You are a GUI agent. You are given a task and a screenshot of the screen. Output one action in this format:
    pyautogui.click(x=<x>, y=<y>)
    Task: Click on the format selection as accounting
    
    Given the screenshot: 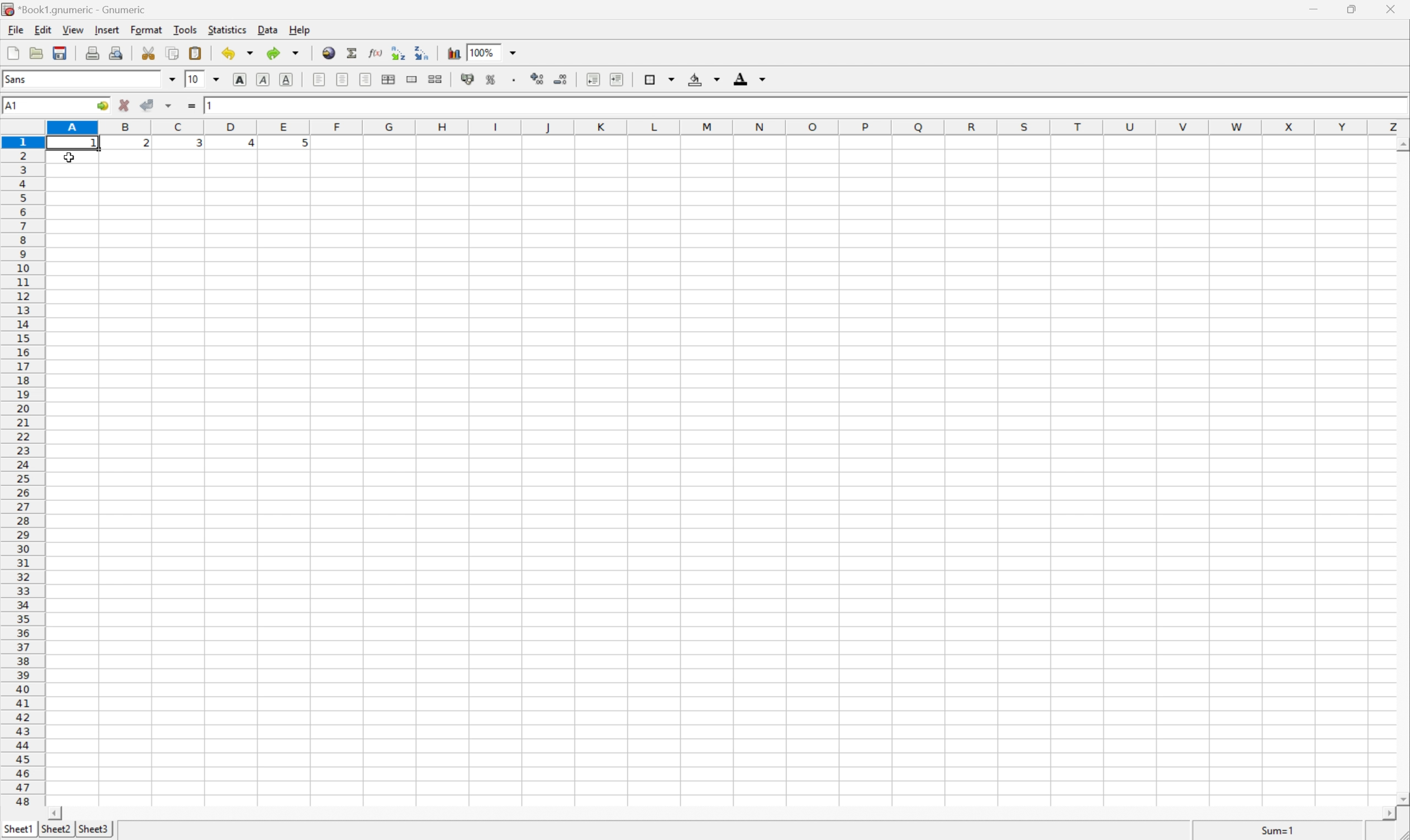 What is the action you would take?
    pyautogui.click(x=466, y=79)
    